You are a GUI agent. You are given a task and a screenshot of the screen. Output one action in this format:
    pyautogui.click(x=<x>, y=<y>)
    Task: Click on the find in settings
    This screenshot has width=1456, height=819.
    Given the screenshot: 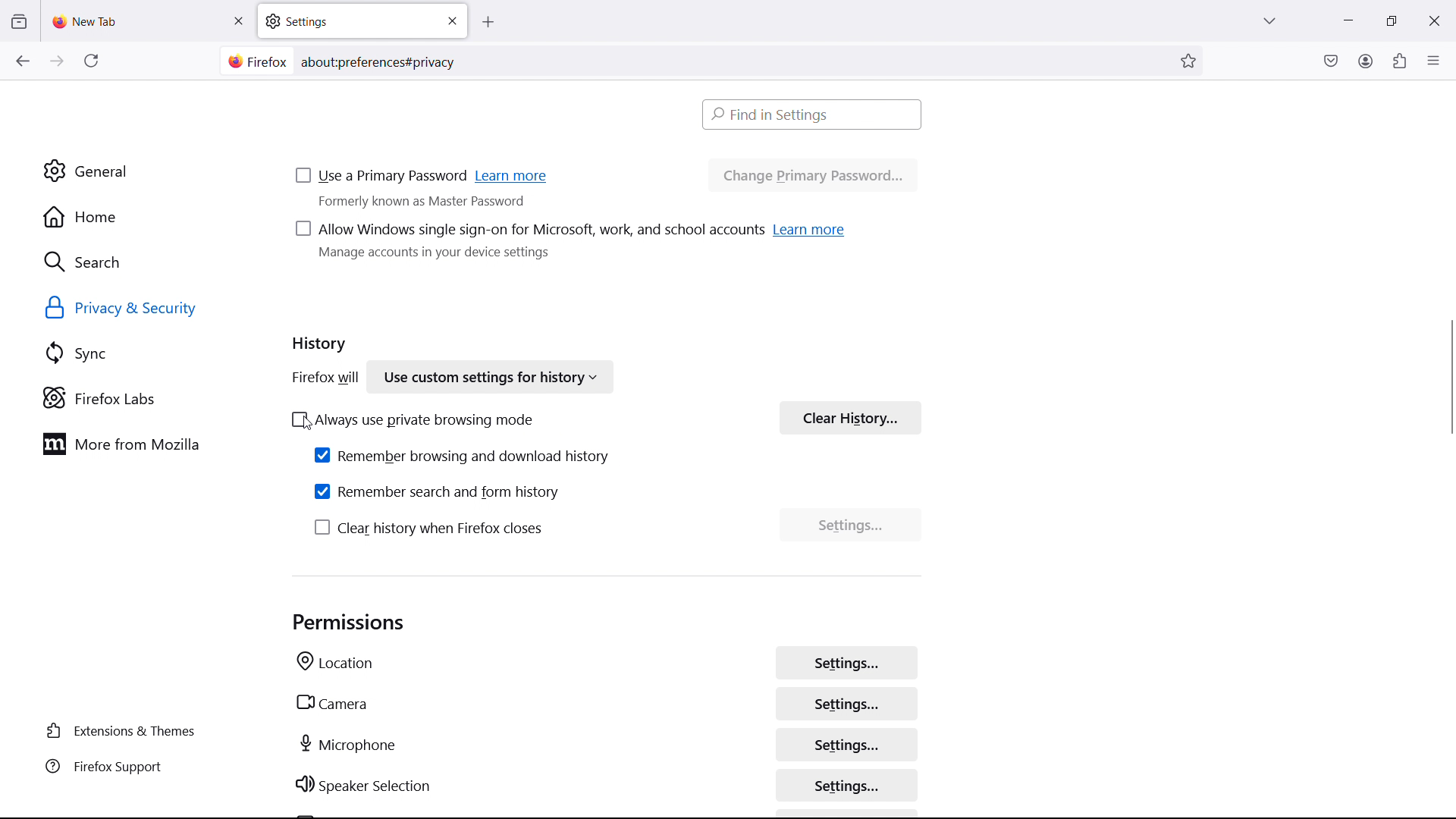 What is the action you would take?
    pyautogui.click(x=813, y=114)
    